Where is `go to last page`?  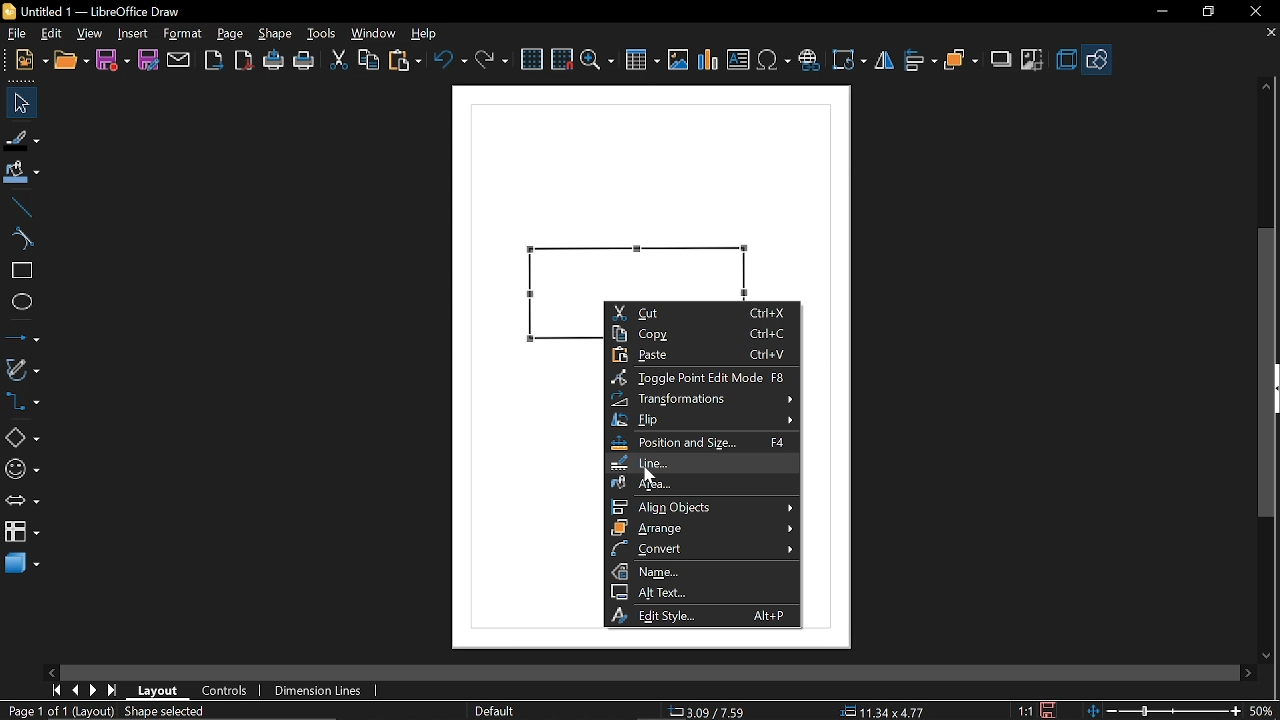 go to last page is located at coordinates (114, 691).